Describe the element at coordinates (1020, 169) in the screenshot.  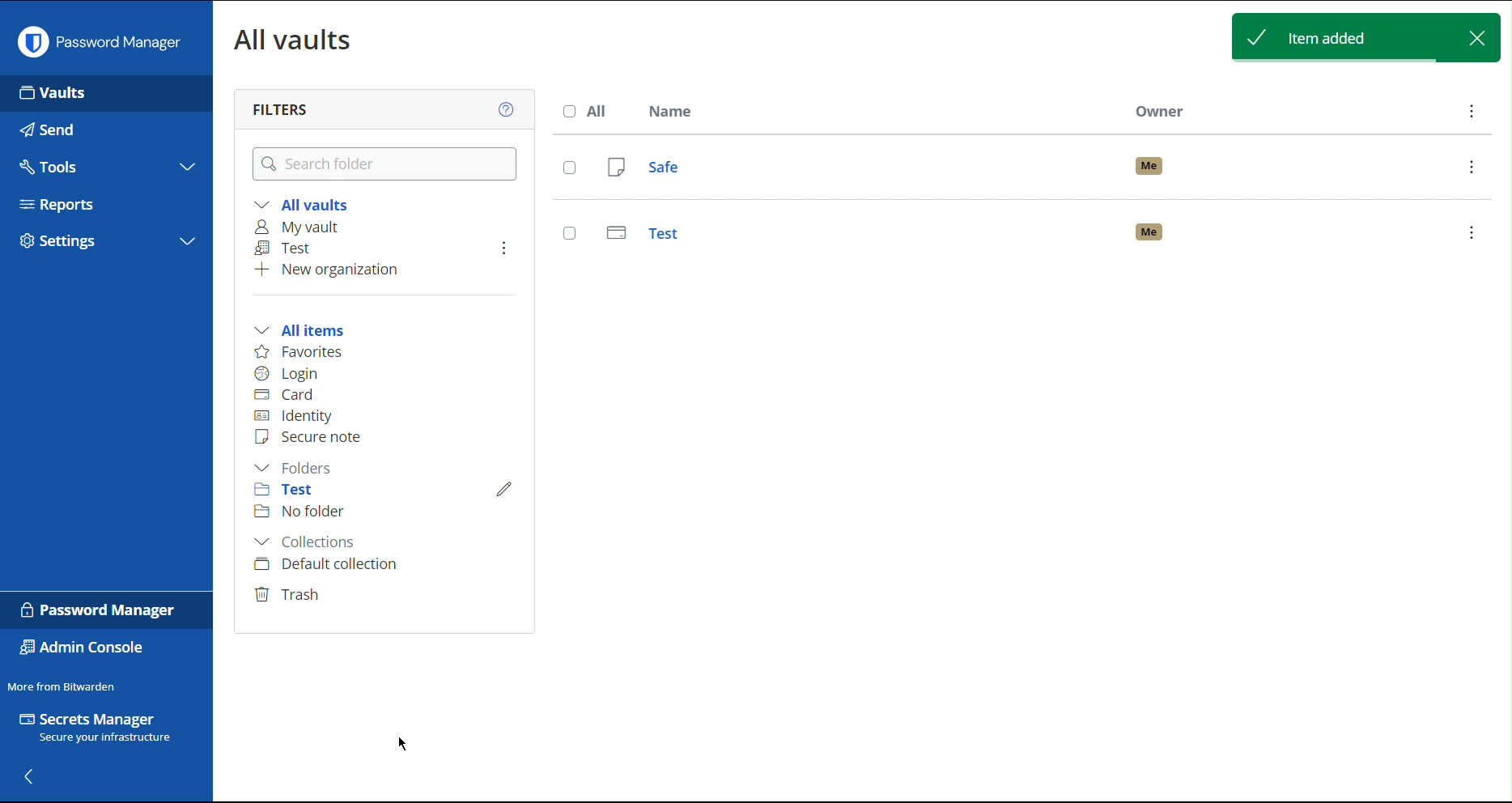
I see `Safe` at that location.